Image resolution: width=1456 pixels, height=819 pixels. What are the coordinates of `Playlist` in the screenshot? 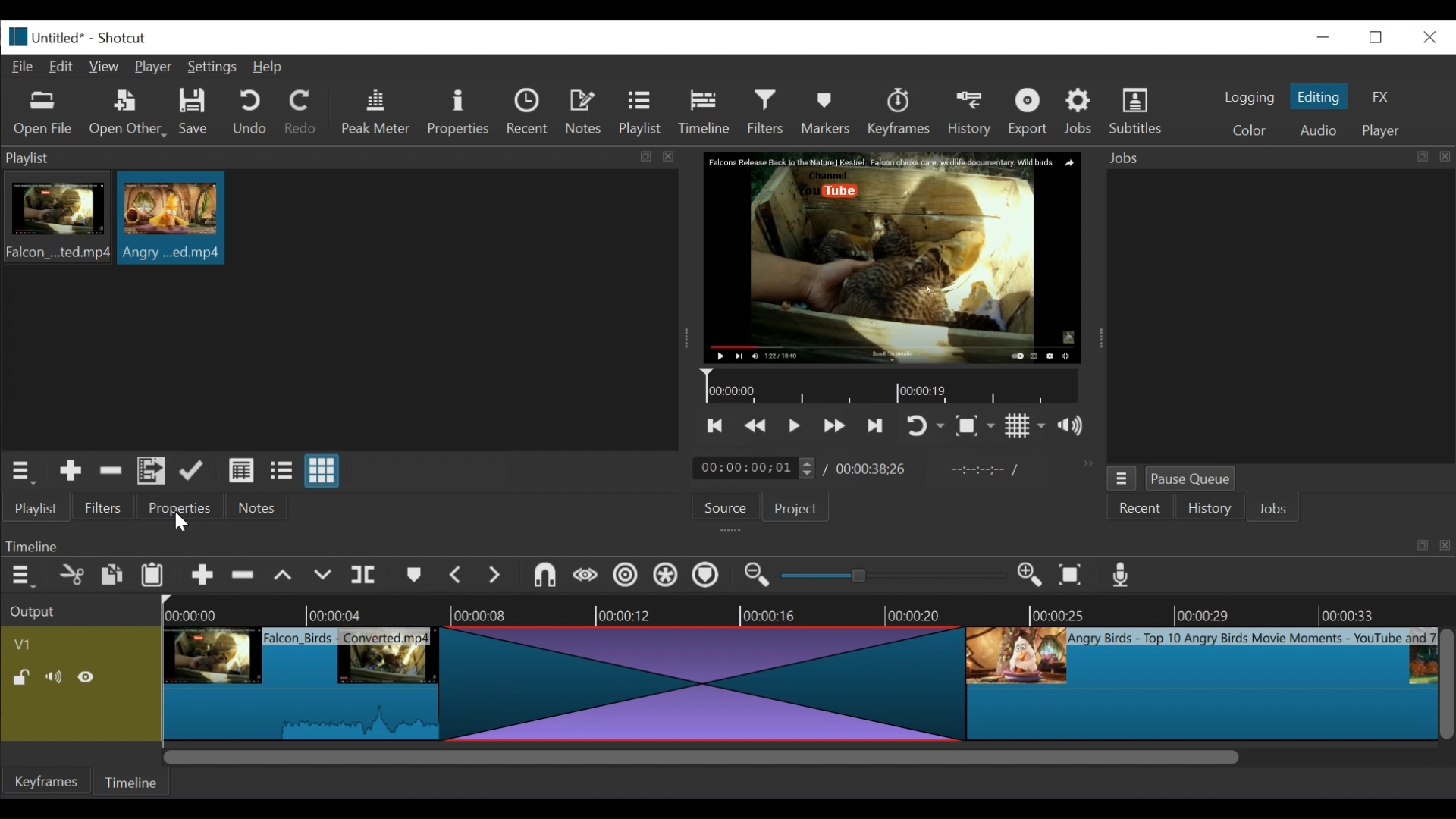 It's located at (641, 114).